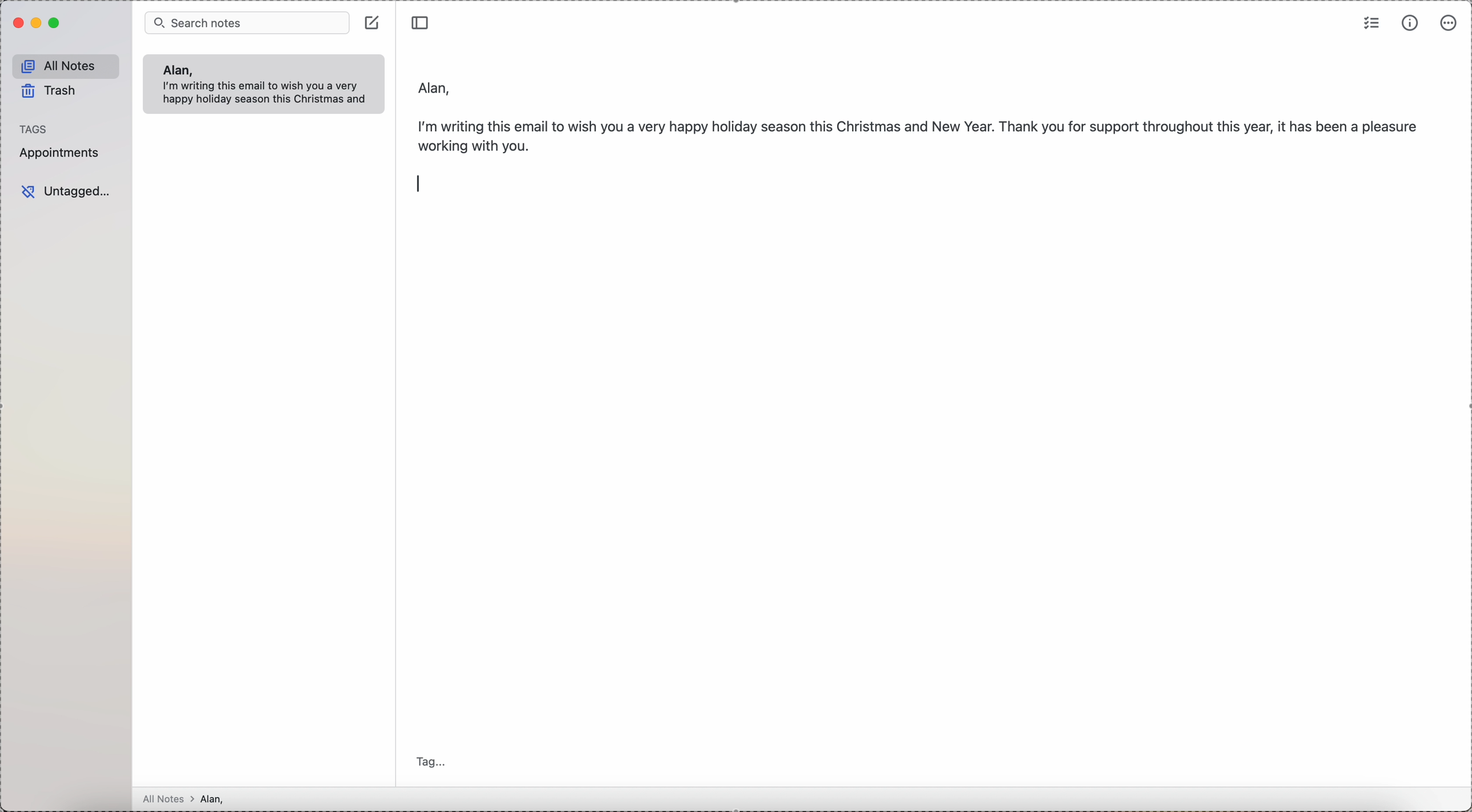  I want to click on tags, so click(34, 129).